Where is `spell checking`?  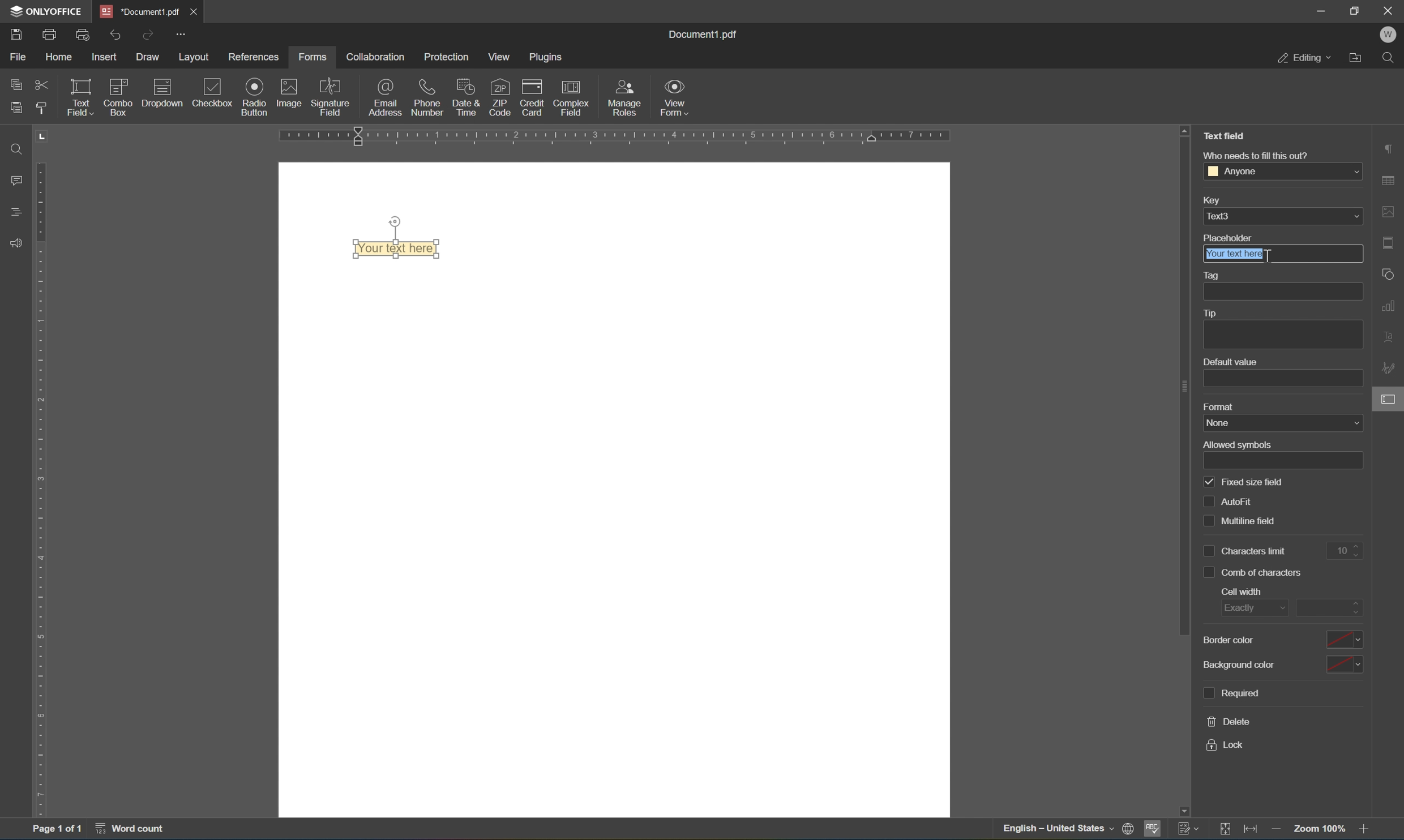 spell checking is located at coordinates (1154, 830).